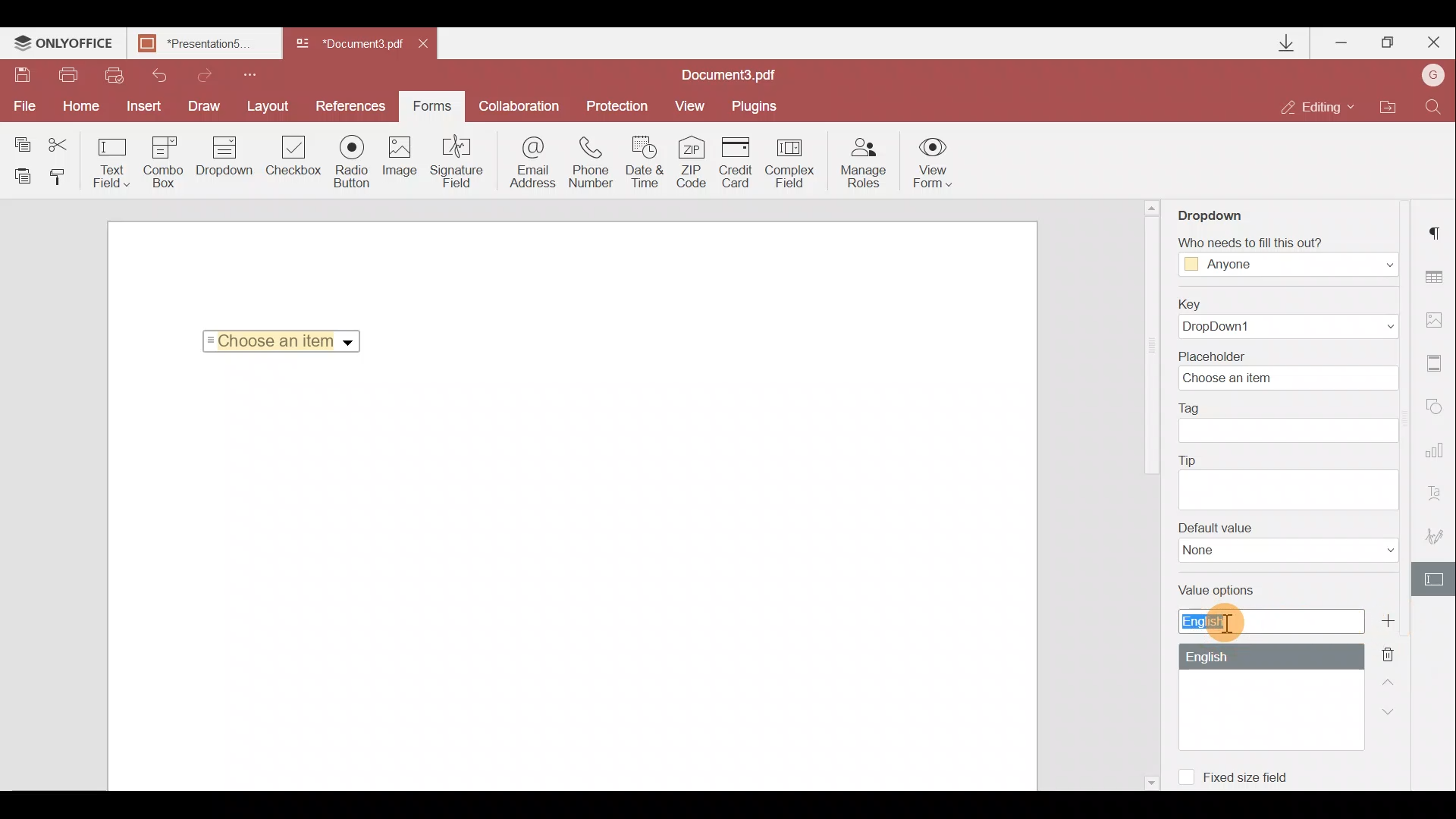 The width and height of the screenshot is (1456, 819). Describe the element at coordinates (1289, 422) in the screenshot. I see `Tag` at that location.